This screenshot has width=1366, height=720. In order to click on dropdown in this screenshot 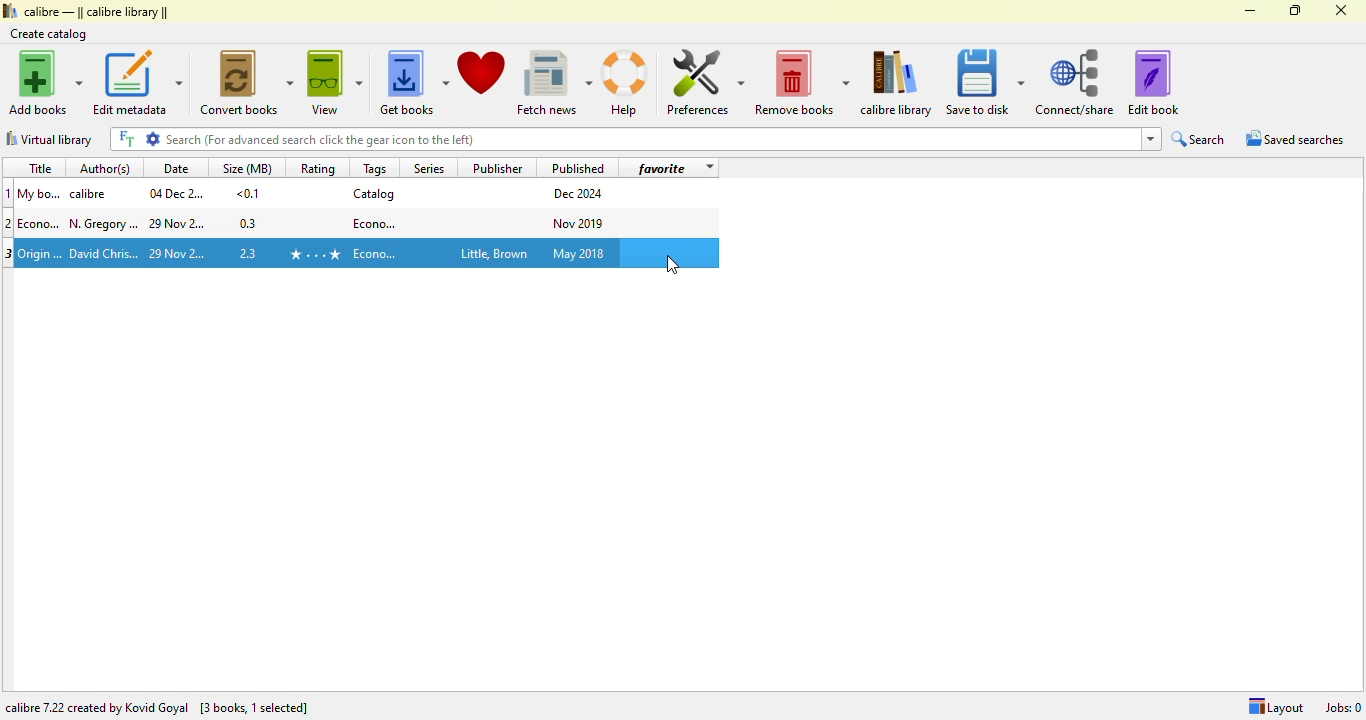, I will do `click(1150, 139)`.